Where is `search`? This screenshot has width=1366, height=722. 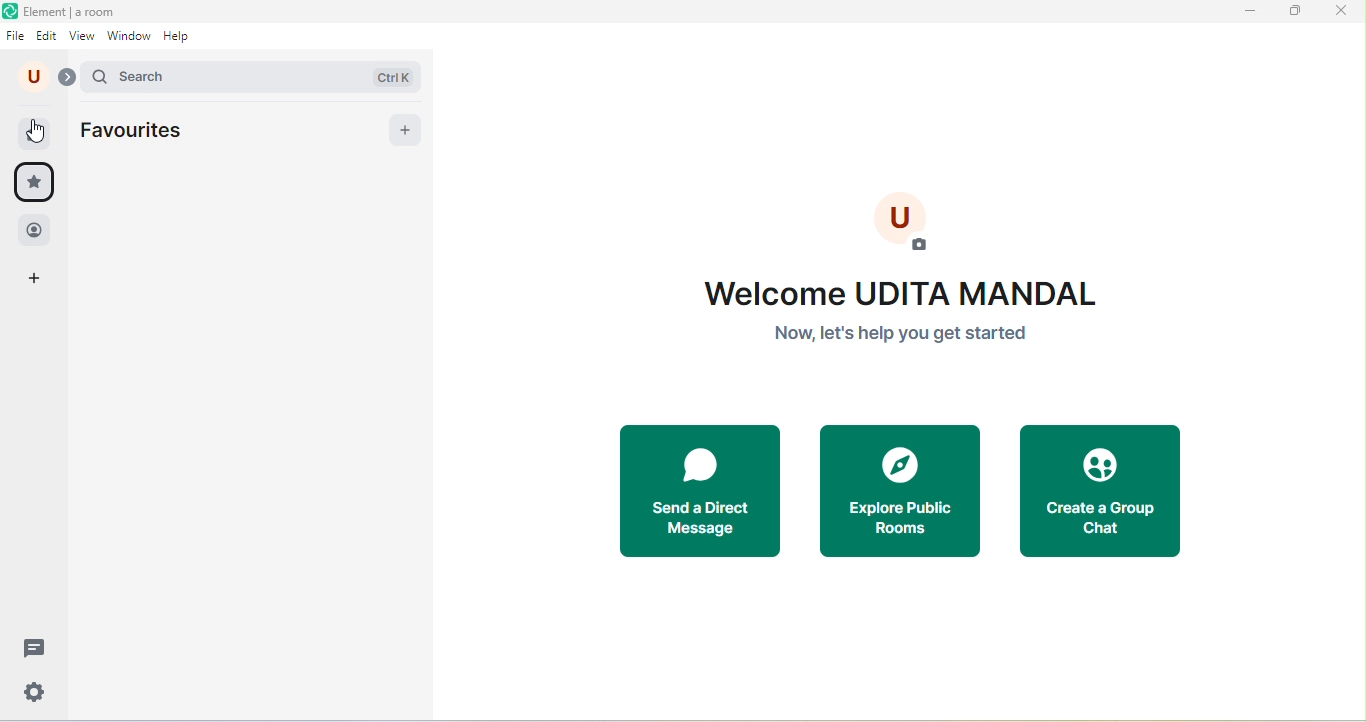
search is located at coordinates (254, 77).